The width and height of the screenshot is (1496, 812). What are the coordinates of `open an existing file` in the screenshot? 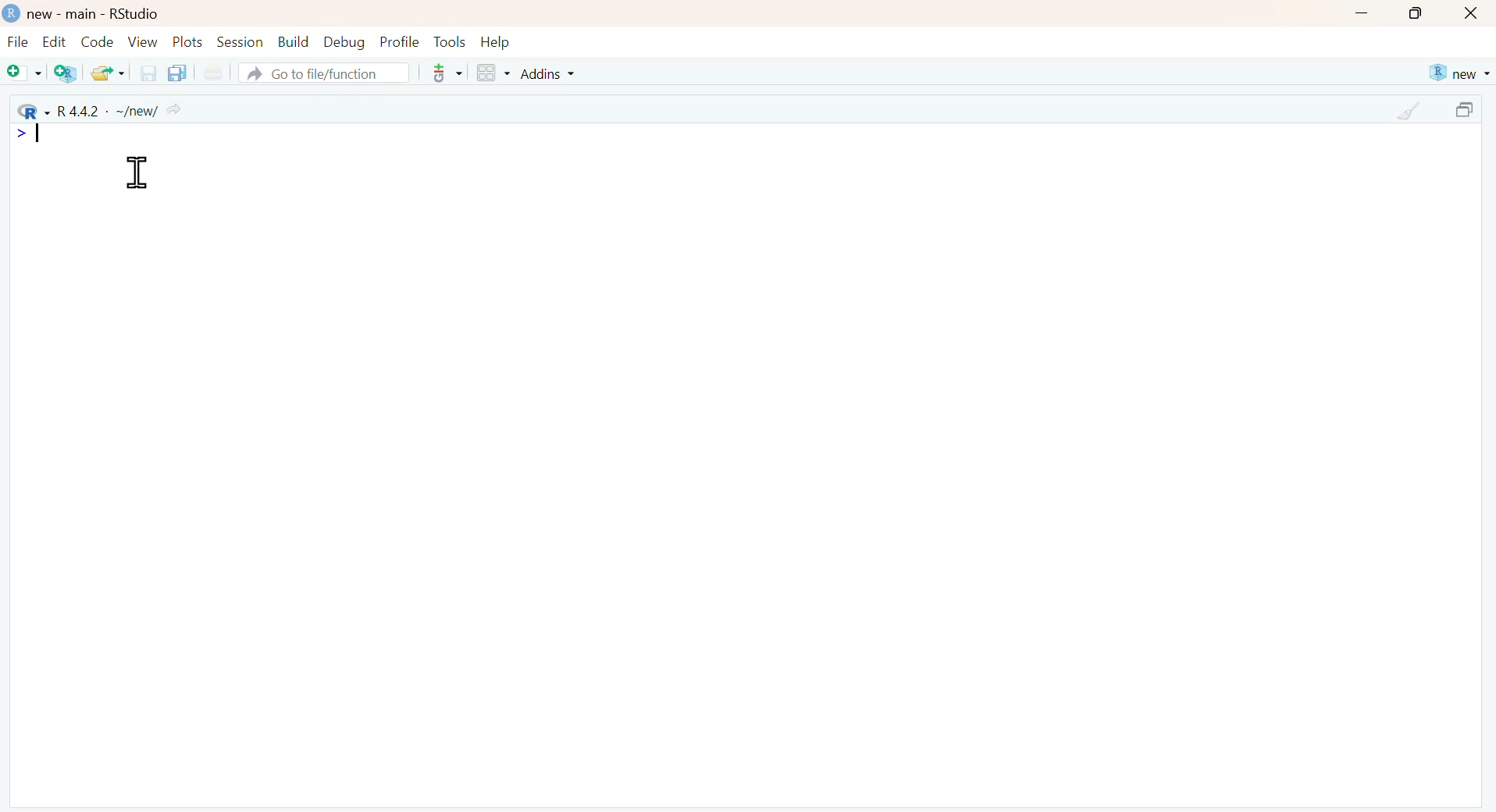 It's located at (107, 72).